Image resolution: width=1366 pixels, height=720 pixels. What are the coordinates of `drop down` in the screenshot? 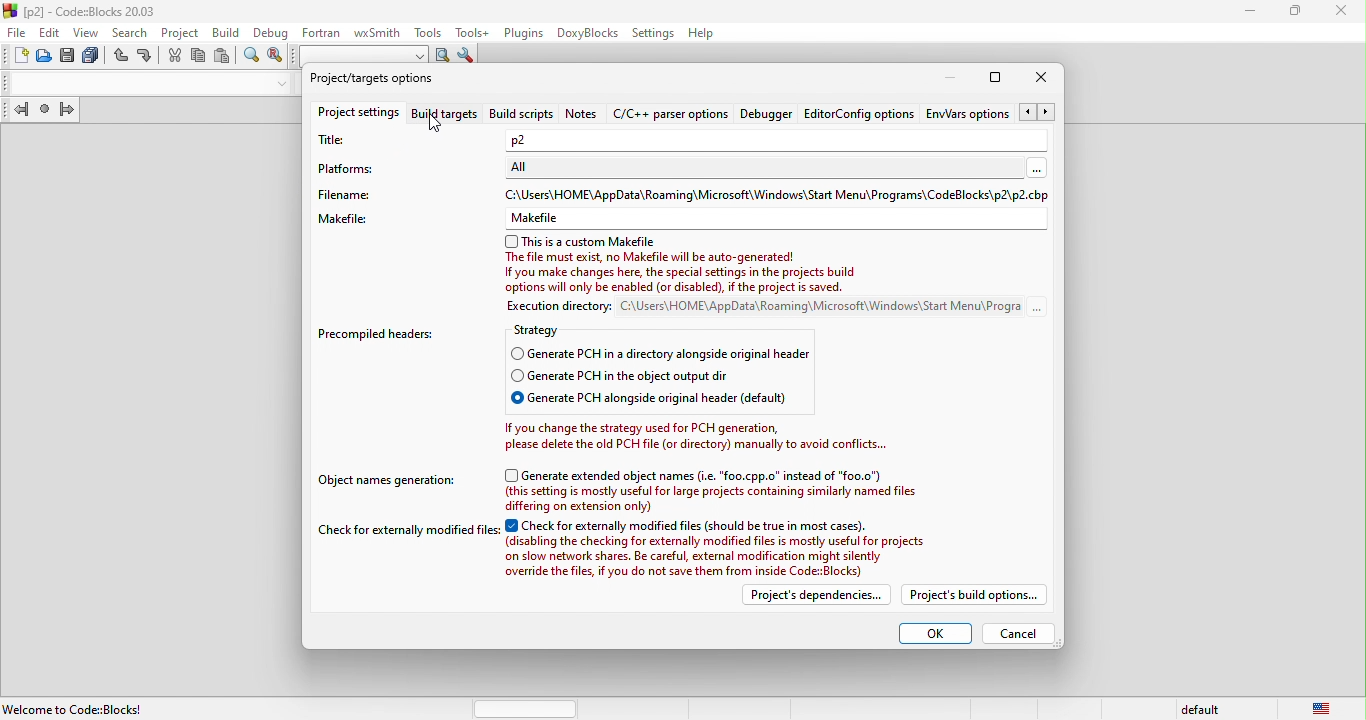 It's located at (278, 84).